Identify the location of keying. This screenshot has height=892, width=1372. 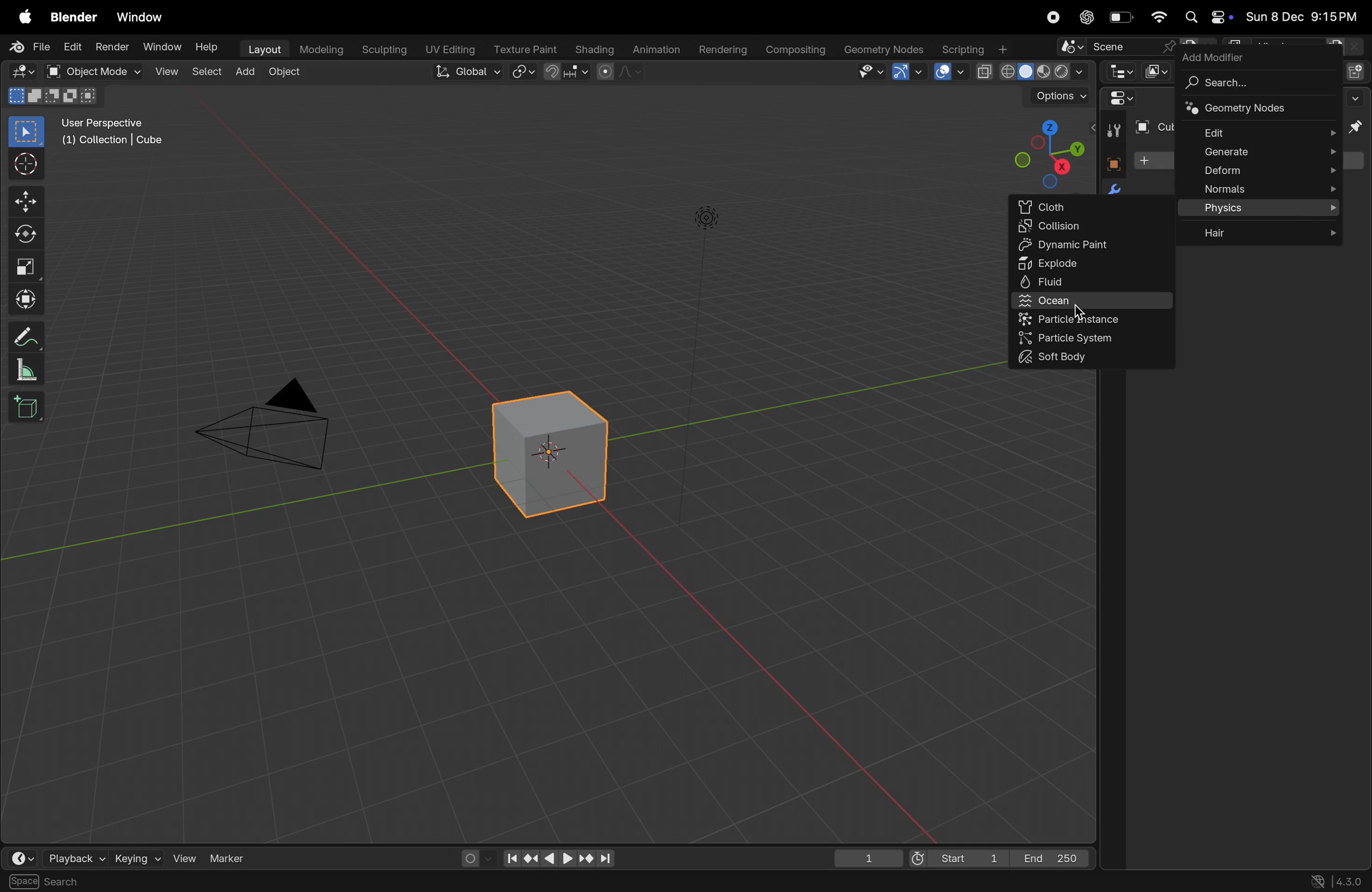
(135, 857).